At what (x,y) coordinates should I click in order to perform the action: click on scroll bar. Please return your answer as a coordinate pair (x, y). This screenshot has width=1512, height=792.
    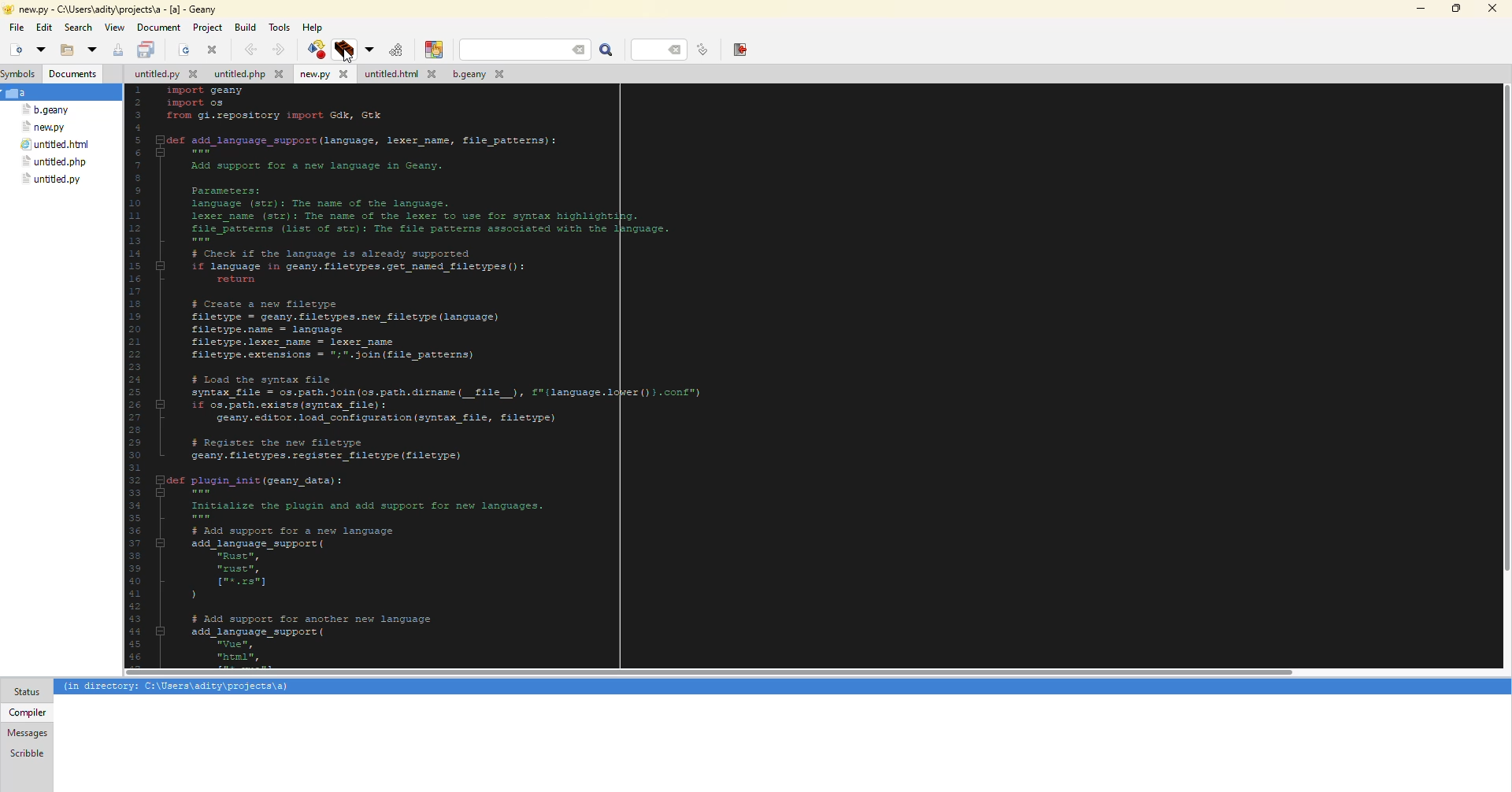
    Looking at the image, I should click on (1506, 333).